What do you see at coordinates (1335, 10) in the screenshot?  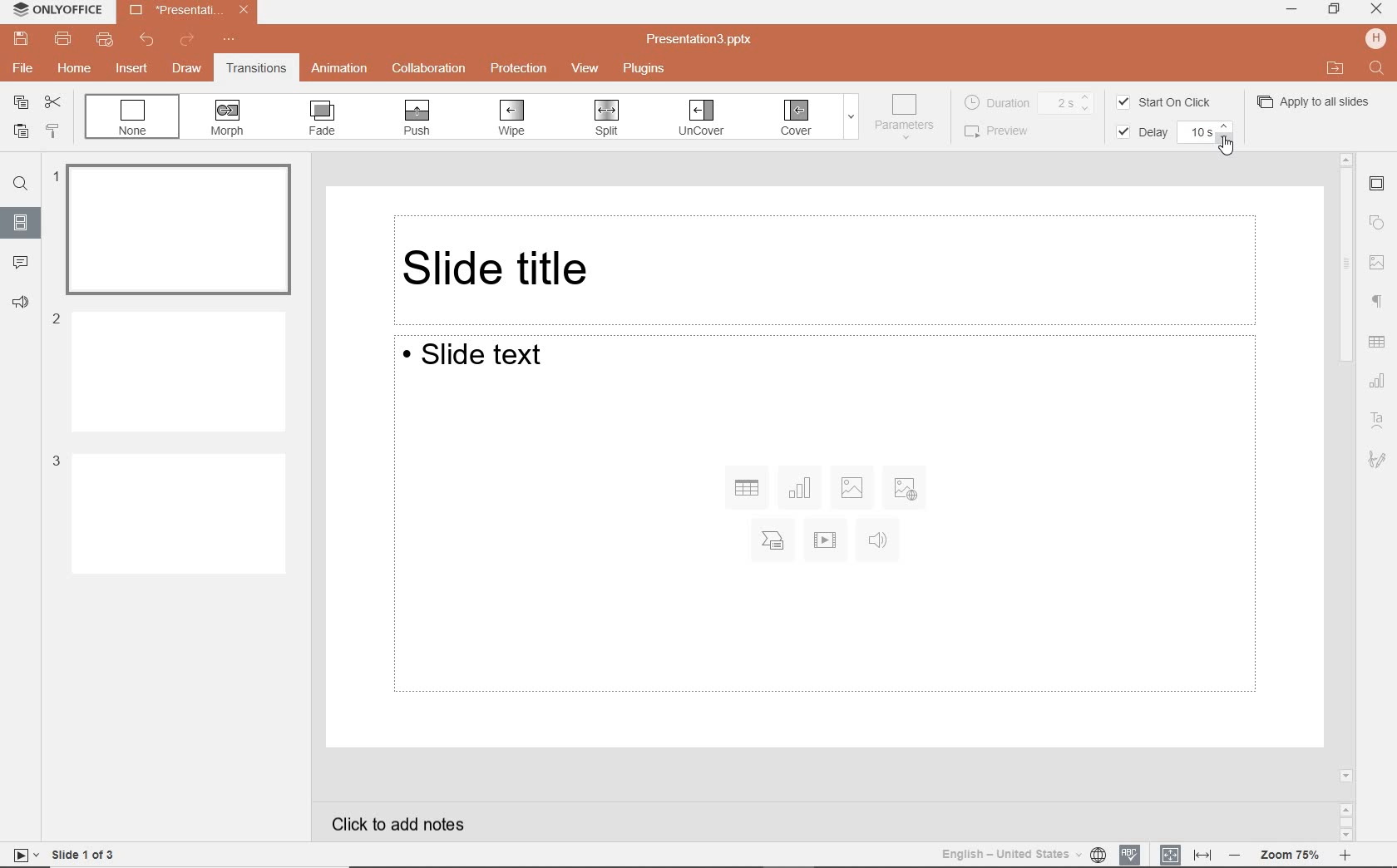 I see `RESTORE` at bounding box center [1335, 10].